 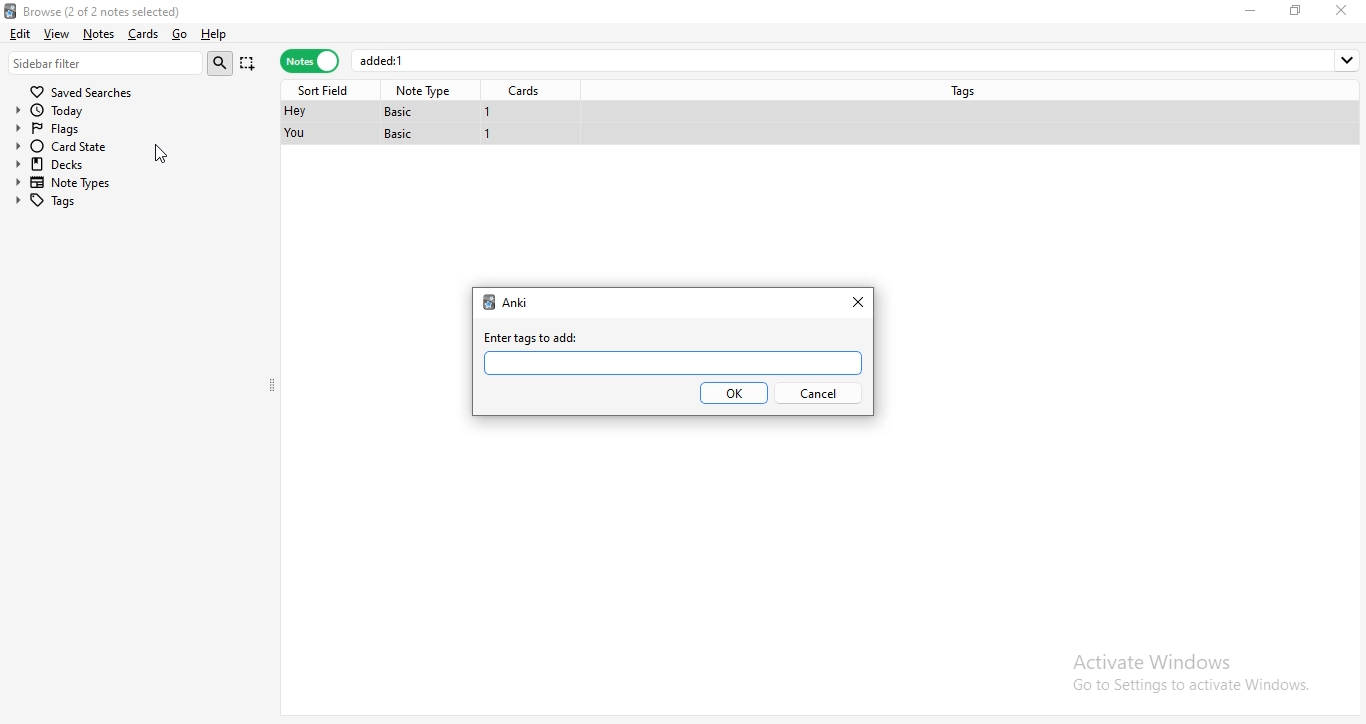 I want to click on search, so click(x=223, y=63).